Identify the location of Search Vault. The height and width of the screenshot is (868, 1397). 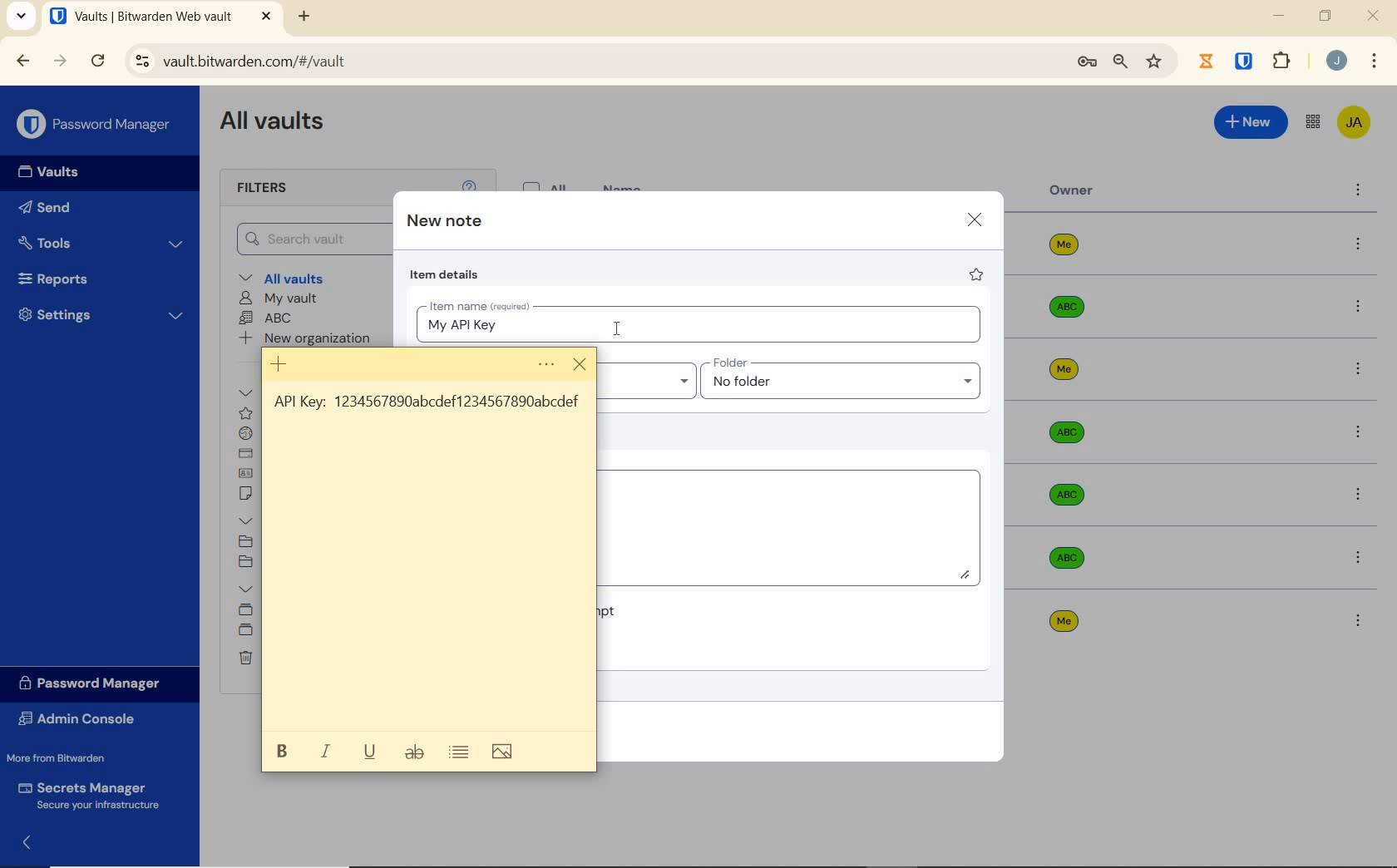
(311, 238).